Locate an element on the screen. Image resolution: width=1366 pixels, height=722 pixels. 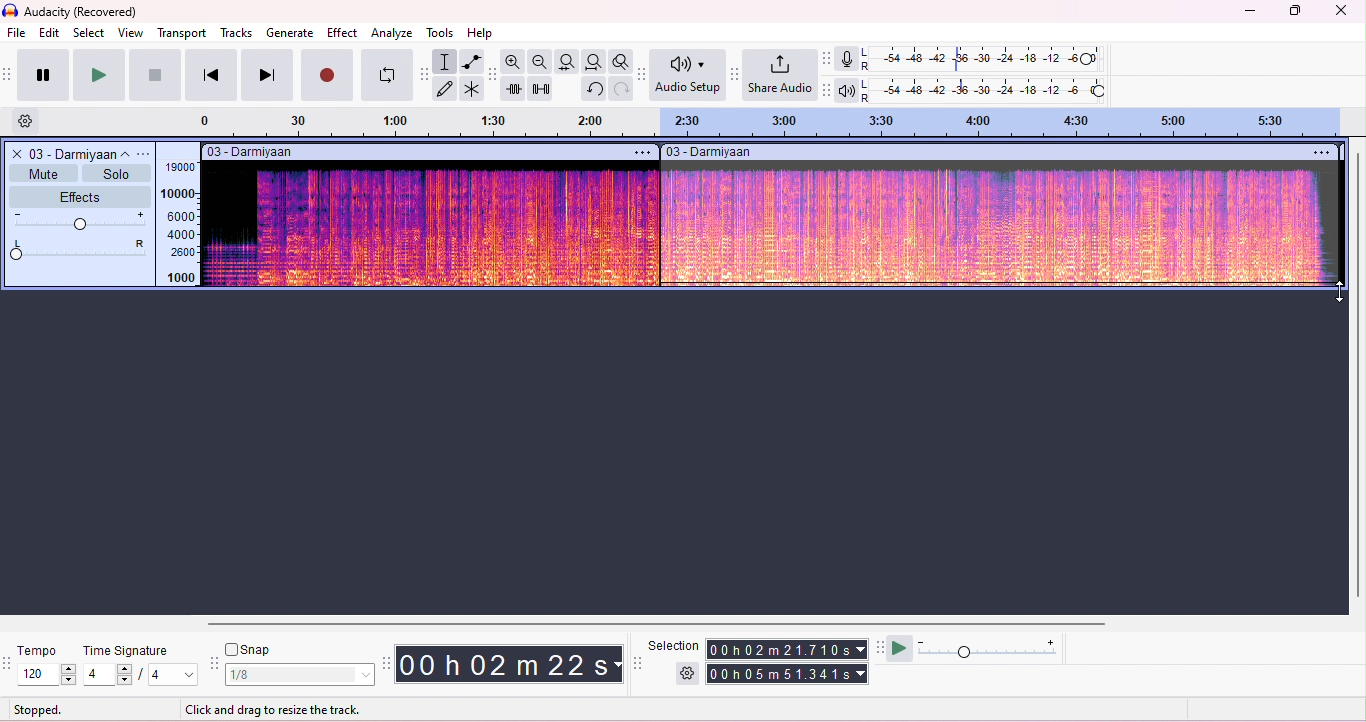
tools tool bar is located at coordinates (425, 74).